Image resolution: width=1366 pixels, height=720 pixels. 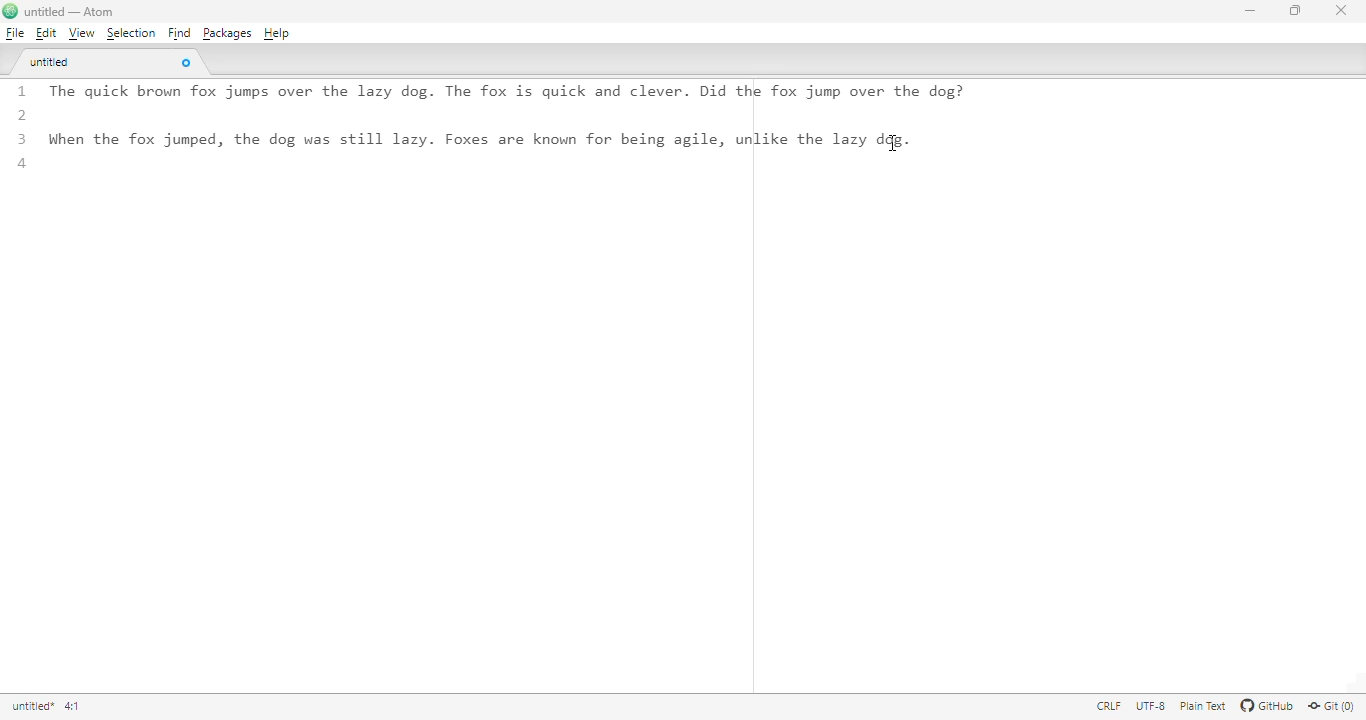 I want to click on logo, so click(x=10, y=11).